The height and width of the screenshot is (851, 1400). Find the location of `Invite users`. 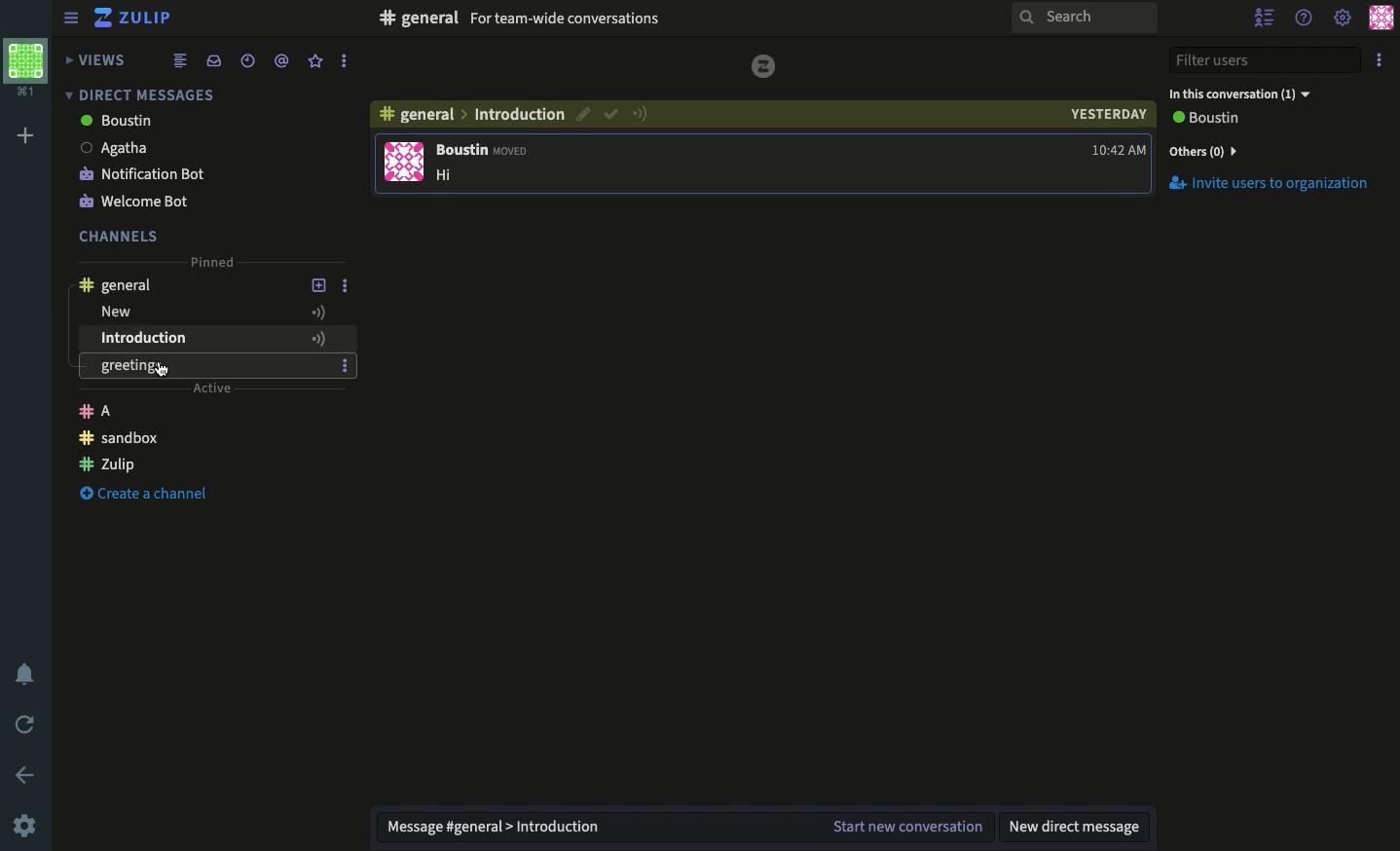

Invite users is located at coordinates (1268, 184).